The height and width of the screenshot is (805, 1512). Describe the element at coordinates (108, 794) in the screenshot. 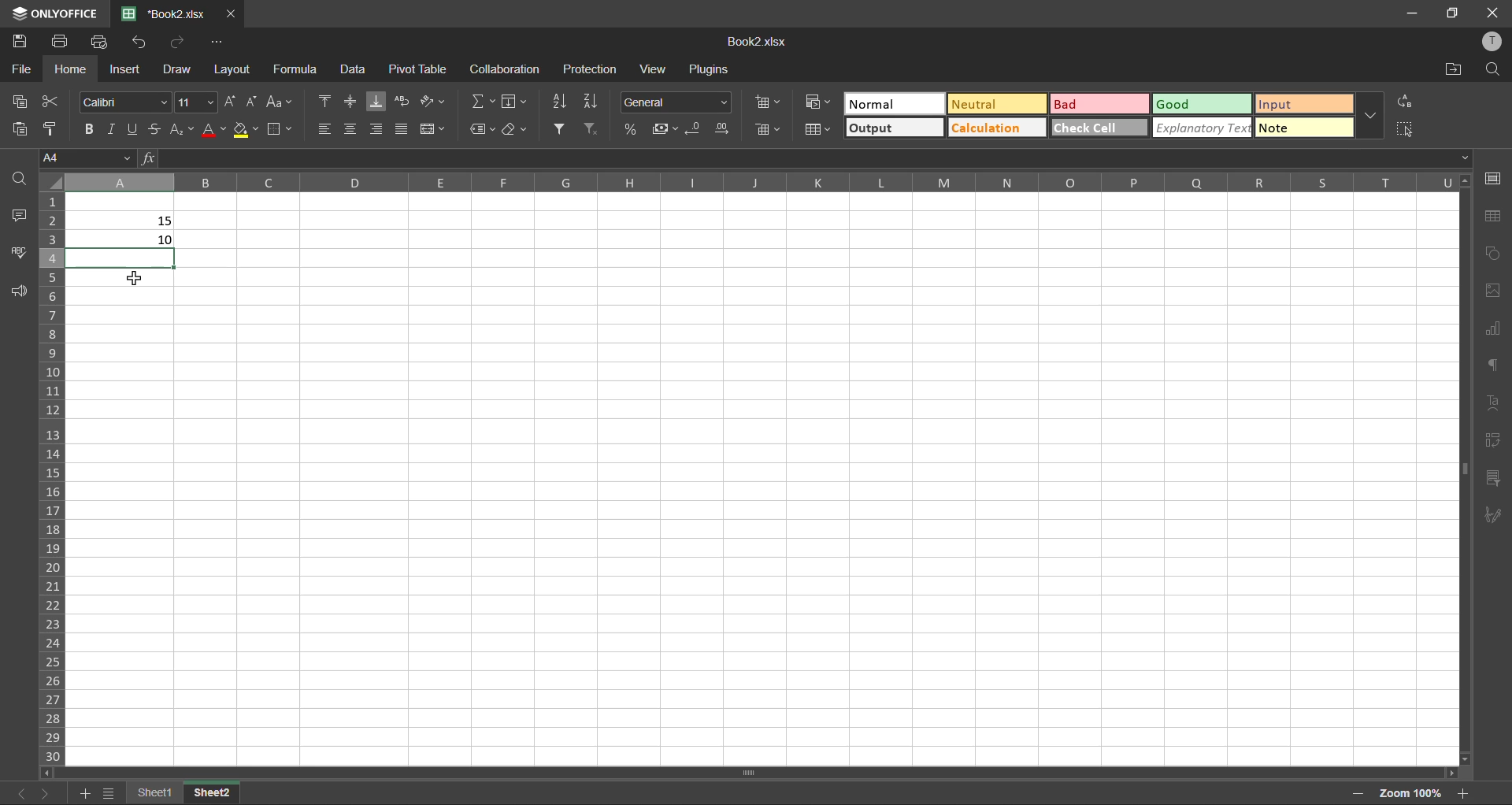

I see `sheet list` at that location.